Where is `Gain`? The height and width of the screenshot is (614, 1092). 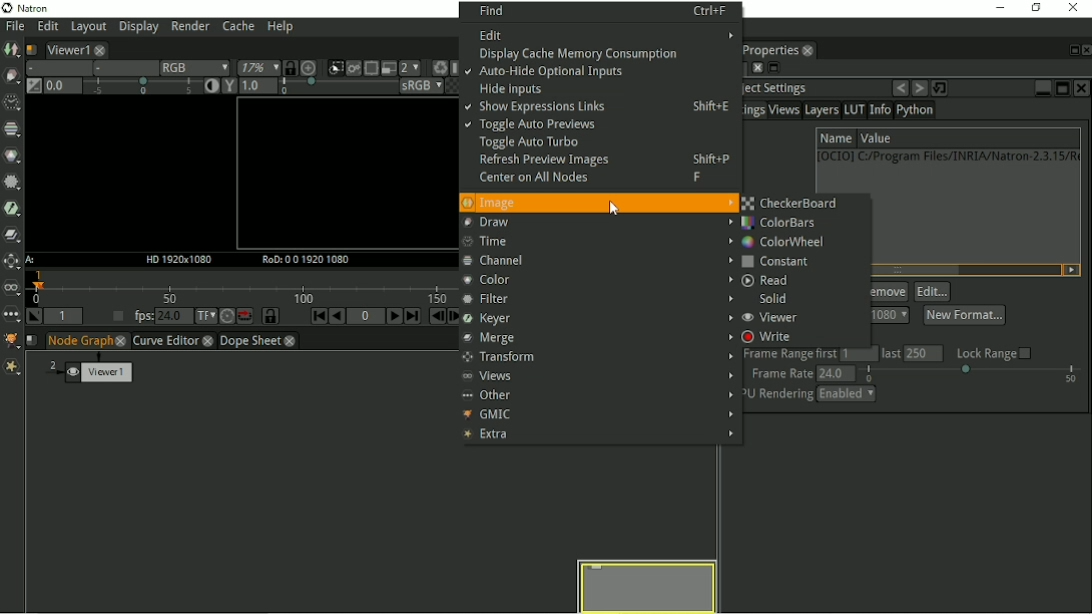
Gain is located at coordinates (118, 88).